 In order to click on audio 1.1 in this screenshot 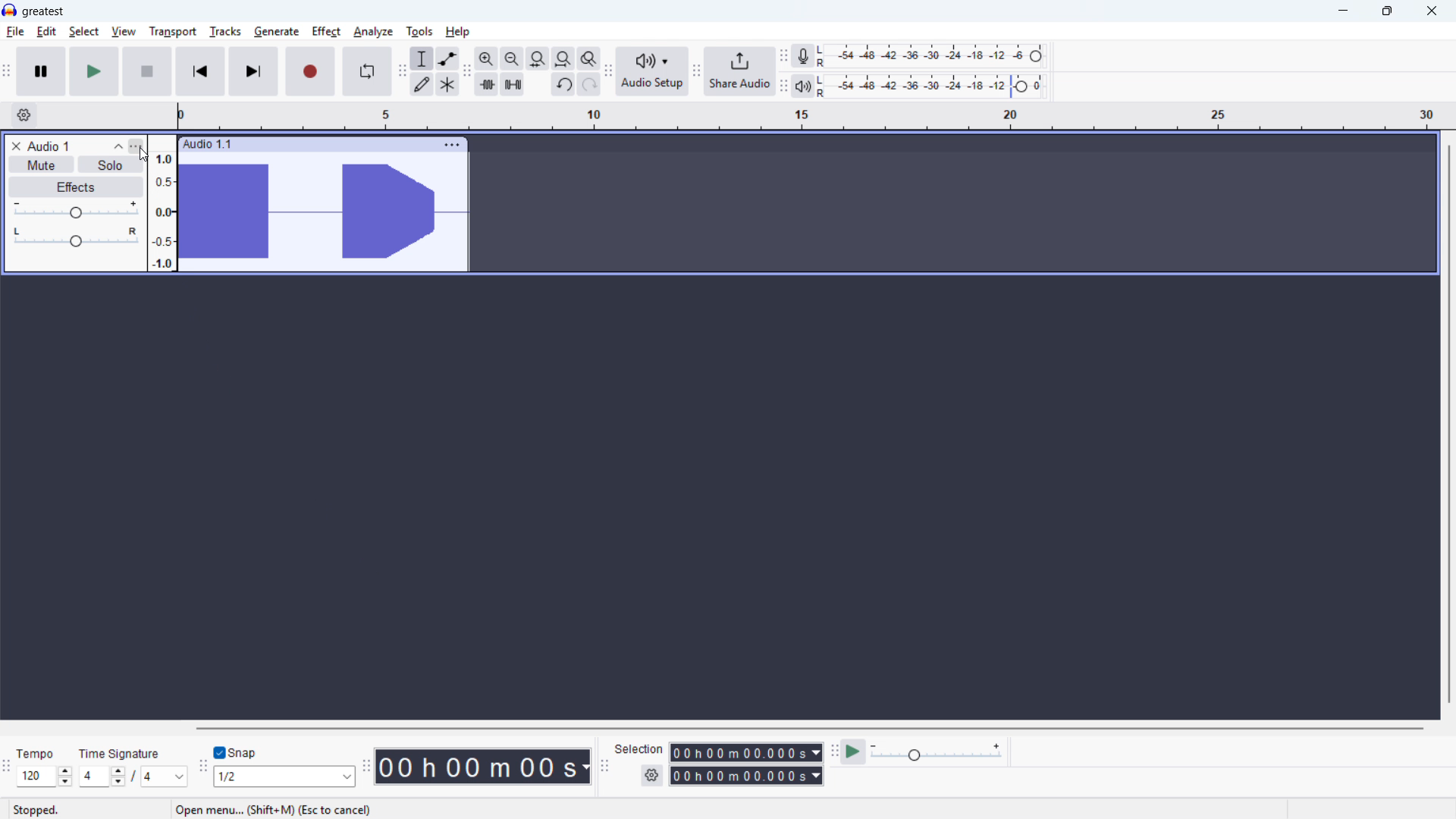, I will do `click(206, 144)`.